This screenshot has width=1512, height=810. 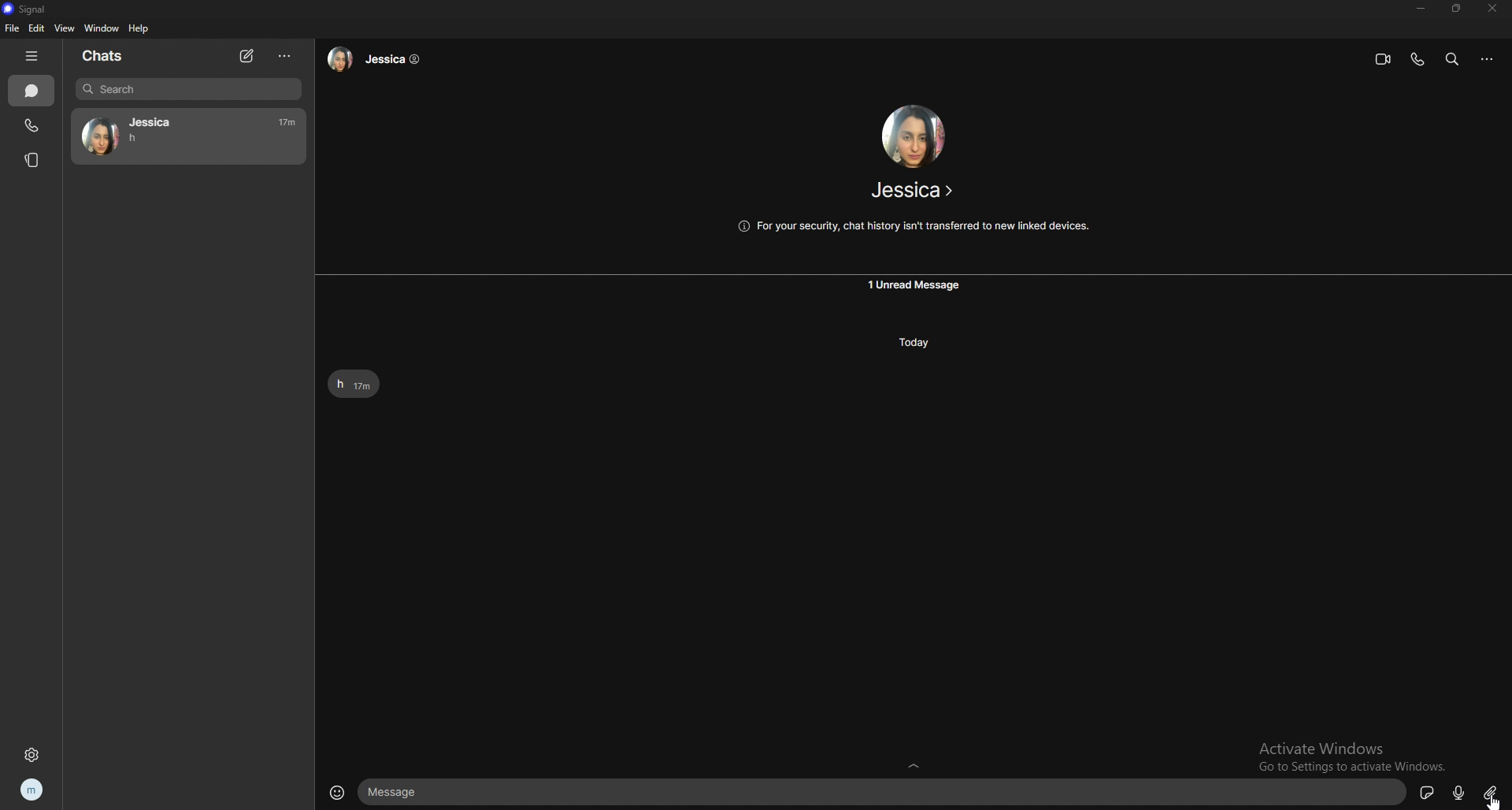 I want to click on close, so click(x=1489, y=9).